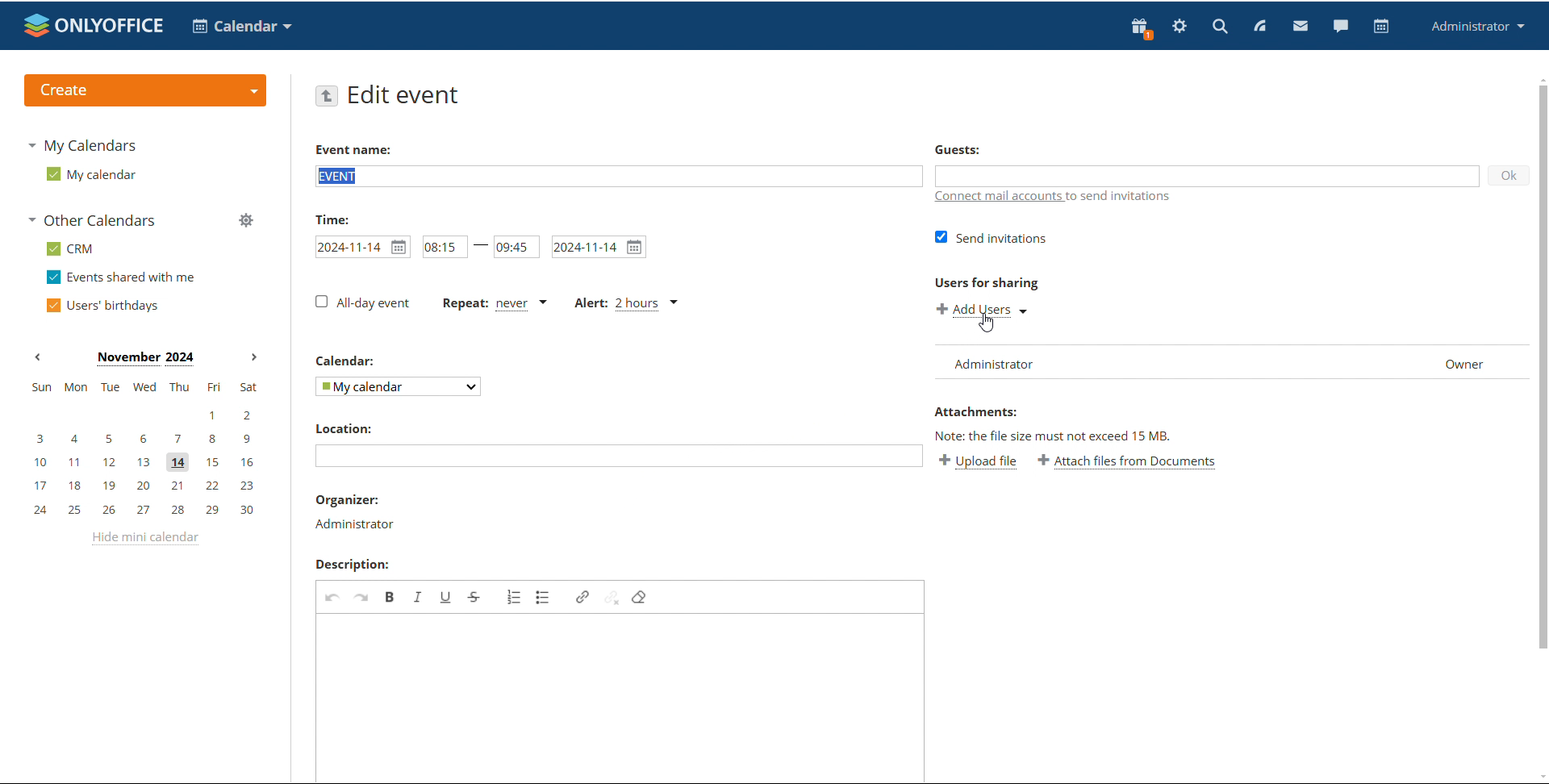 The width and height of the screenshot is (1549, 784). I want to click on strikethrough, so click(475, 596).